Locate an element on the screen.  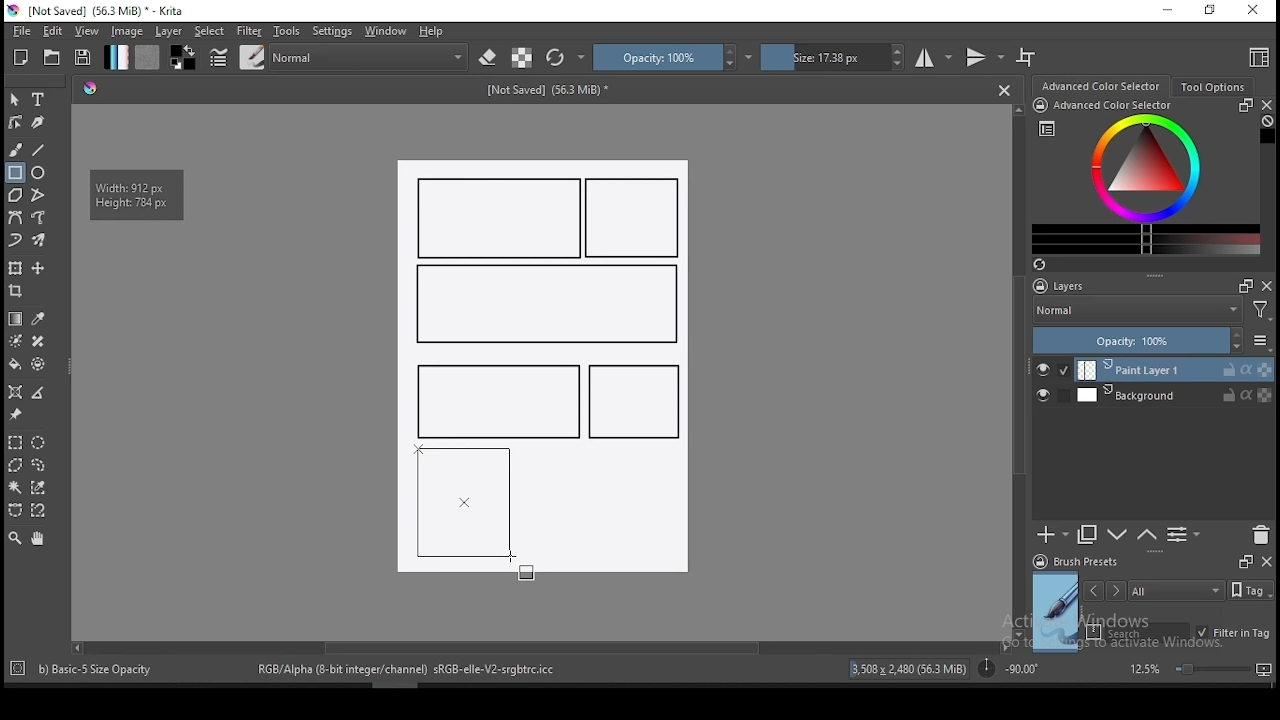
close docker is located at coordinates (1267, 285).